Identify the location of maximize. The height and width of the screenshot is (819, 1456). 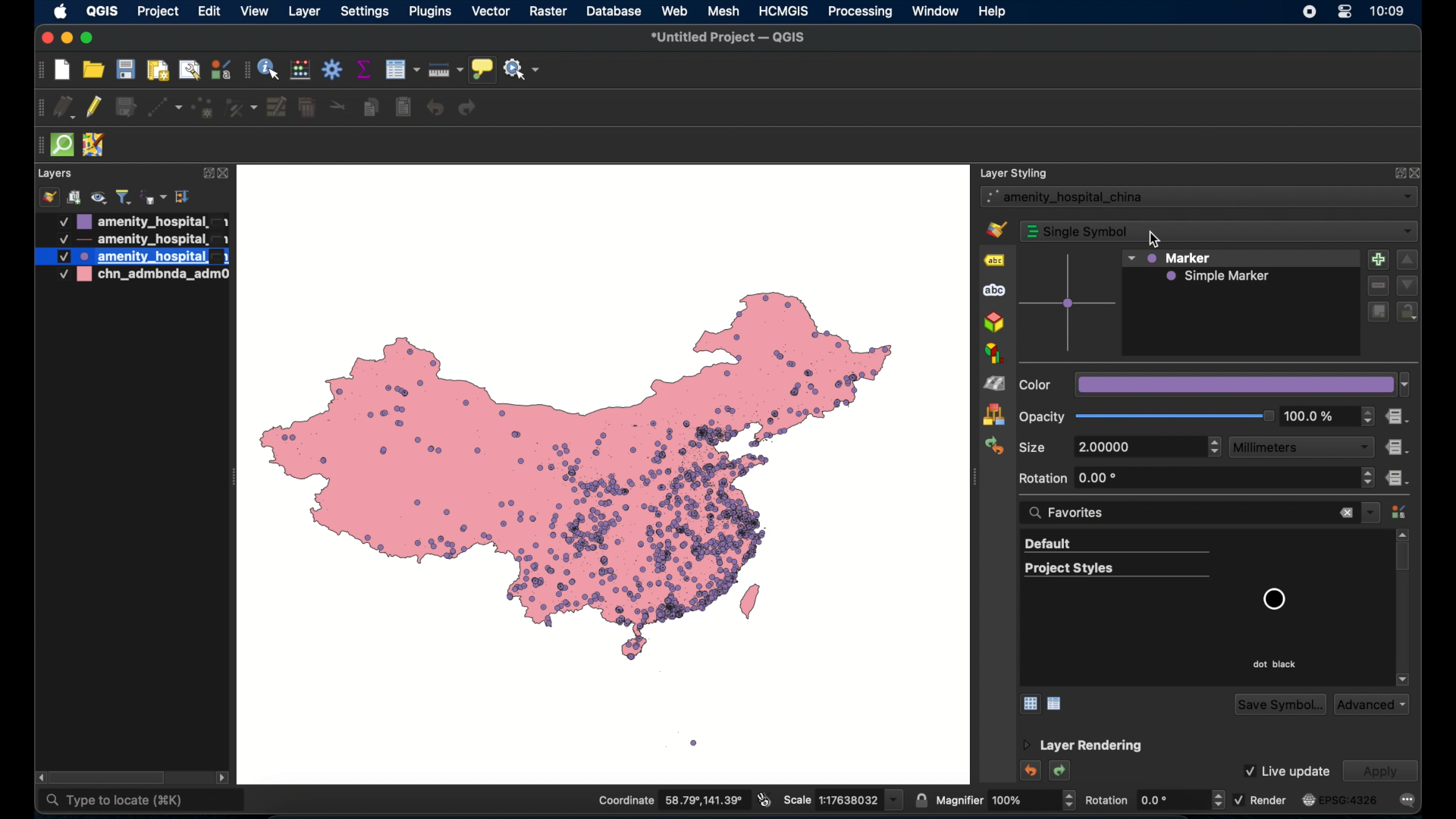
(90, 39).